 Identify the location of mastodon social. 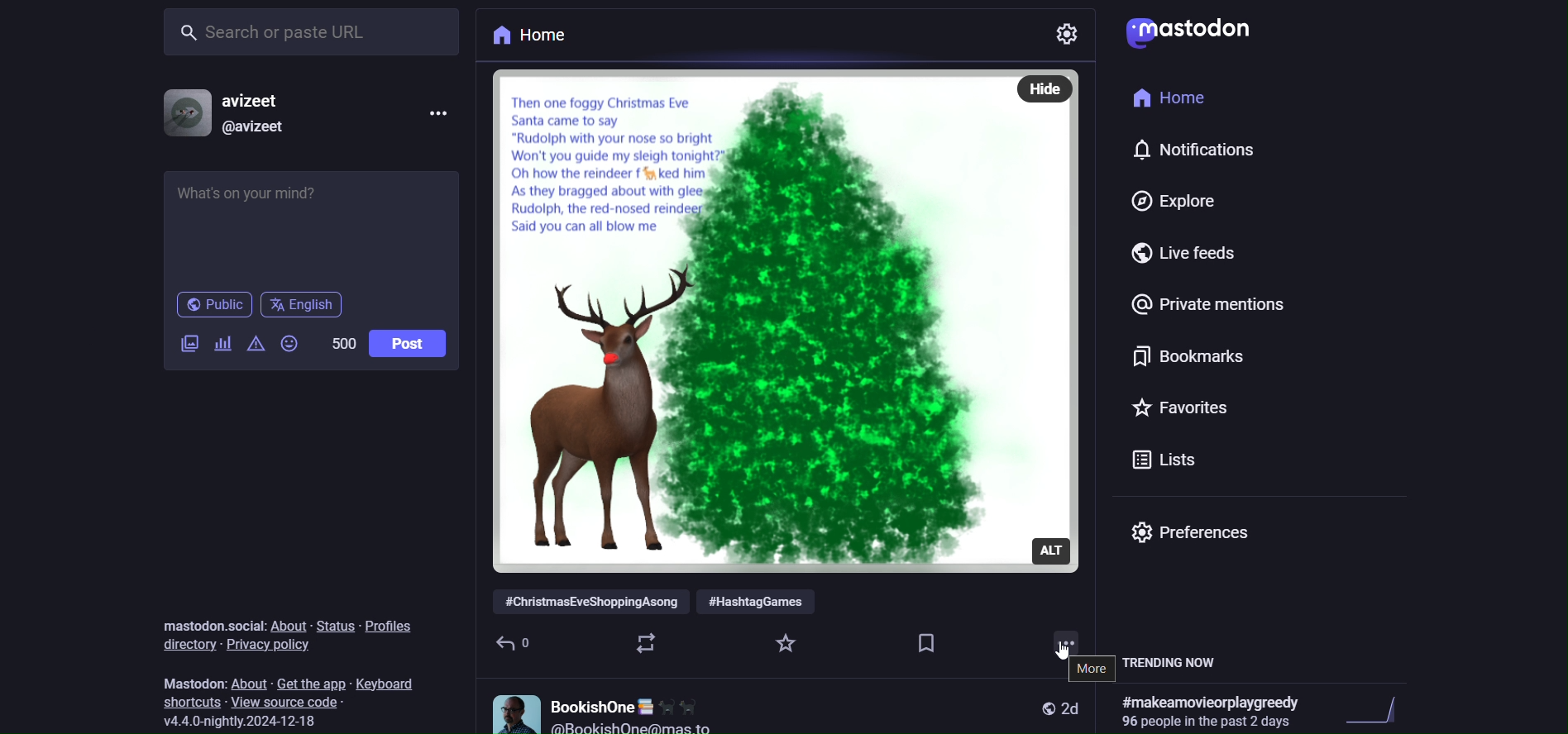
(213, 623).